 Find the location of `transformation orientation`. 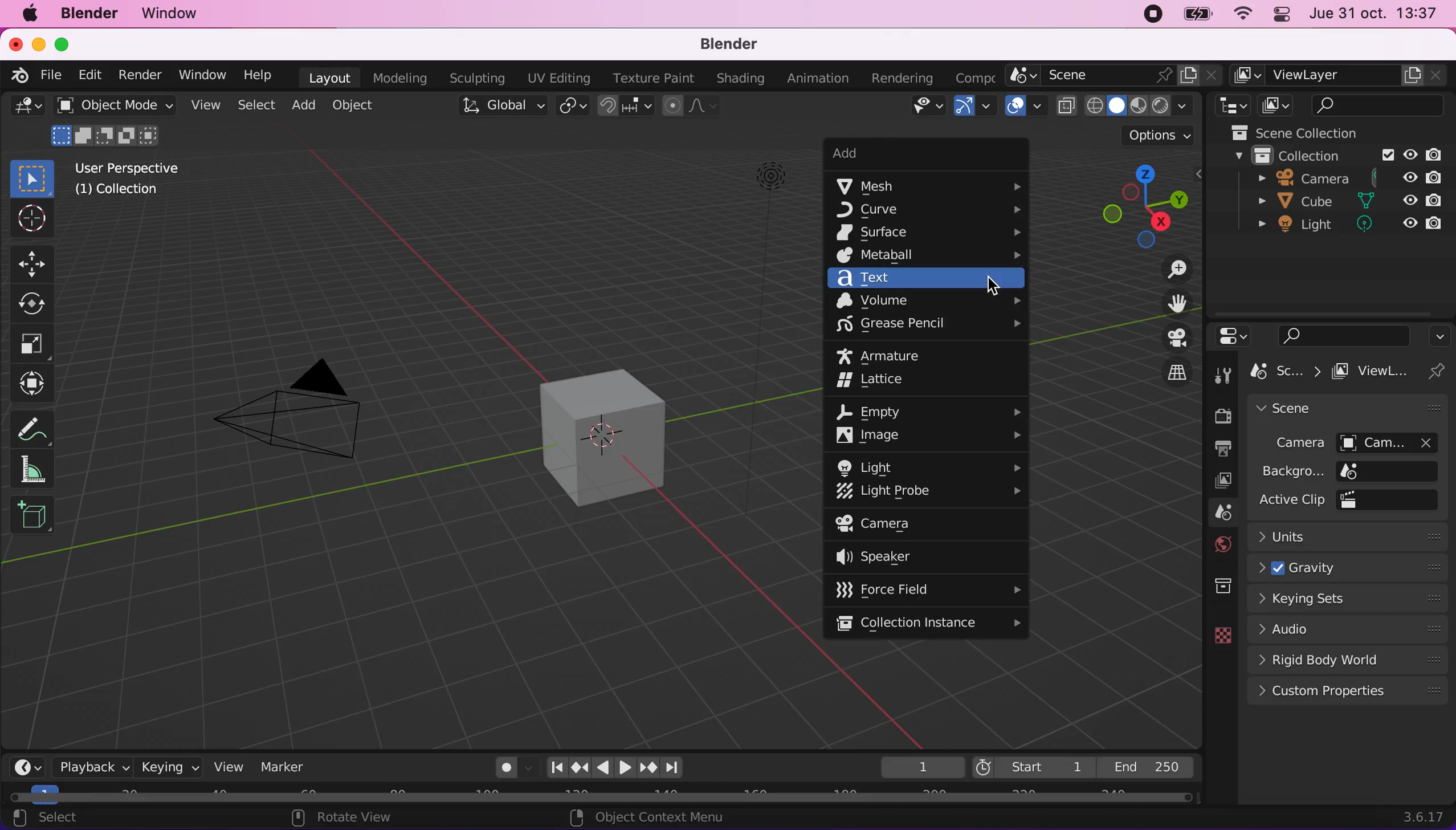

transformation orientation is located at coordinates (497, 109).